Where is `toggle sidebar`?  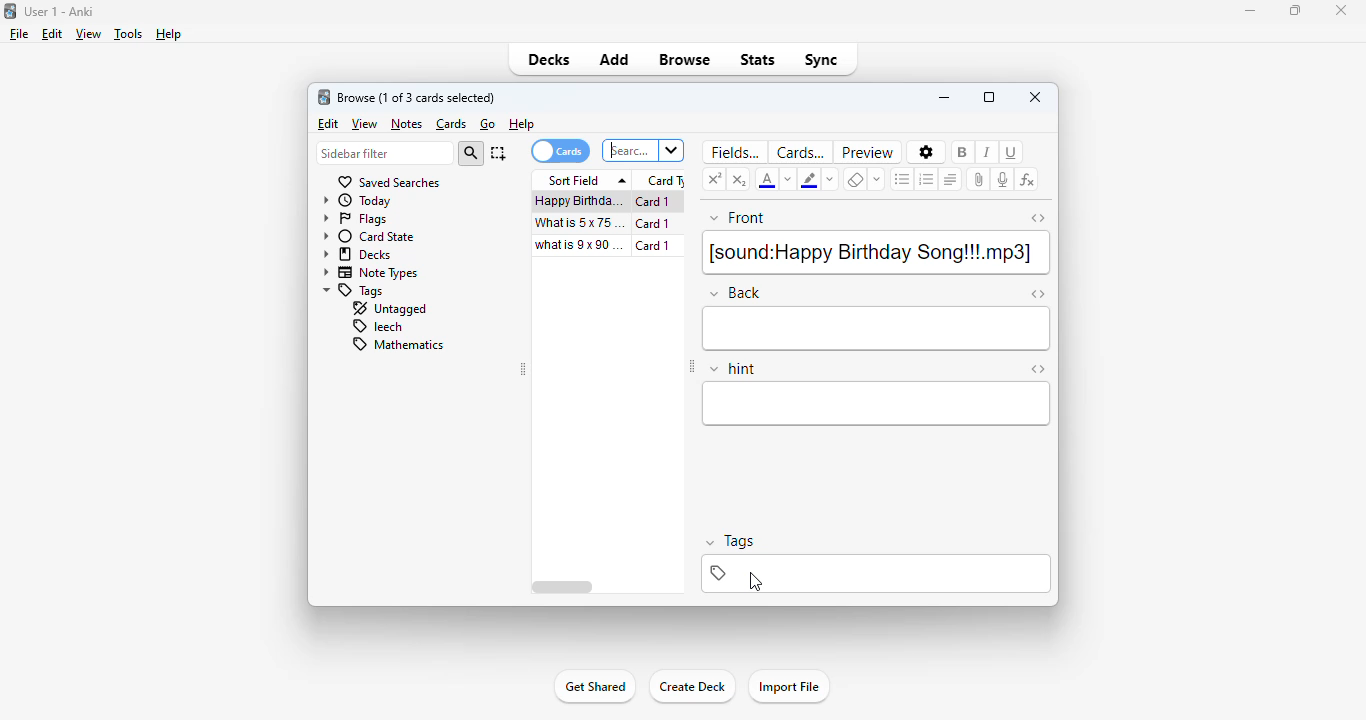 toggle sidebar is located at coordinates (524, 370).